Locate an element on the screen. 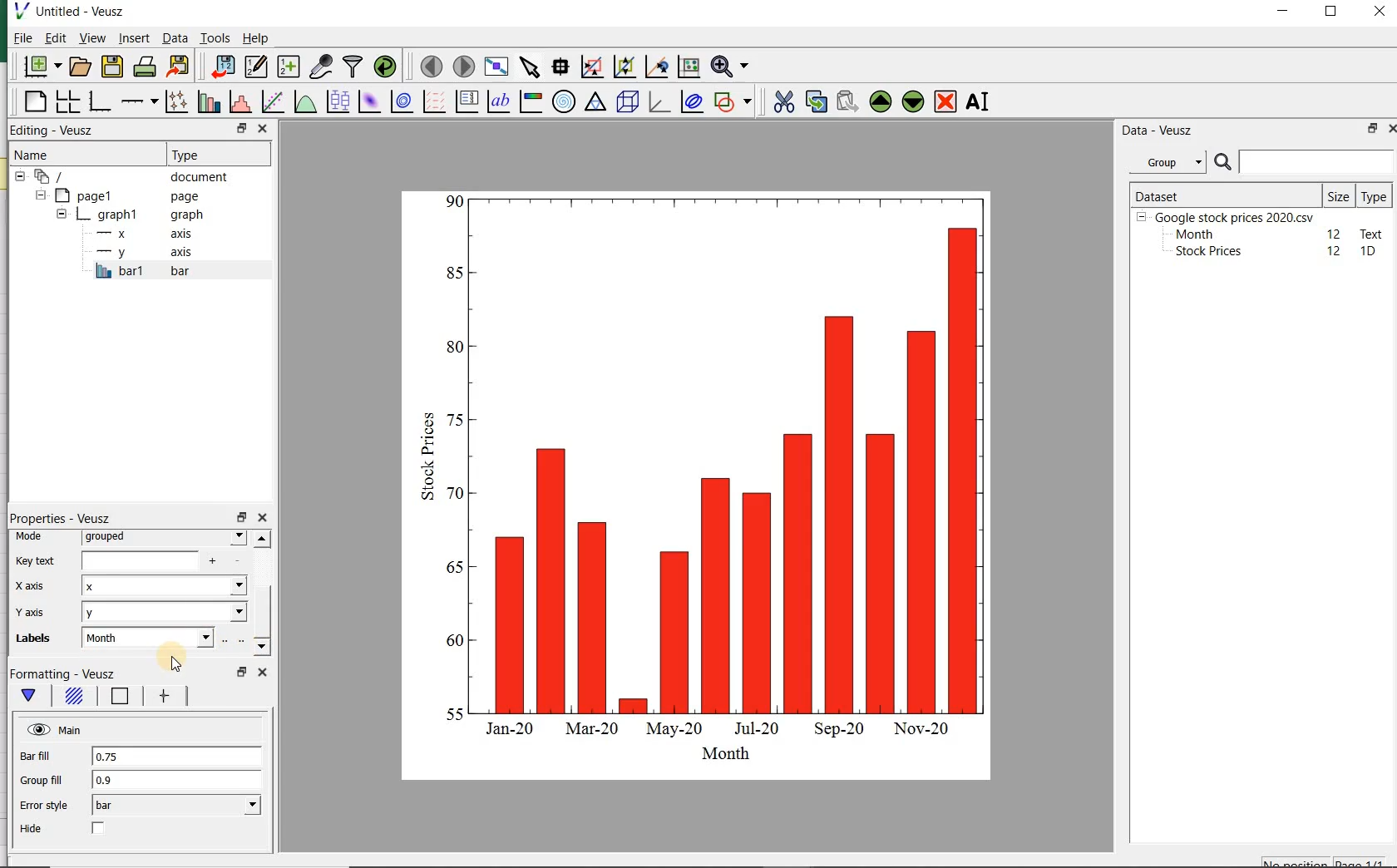  bar1 is located at coordinates (140, 272).